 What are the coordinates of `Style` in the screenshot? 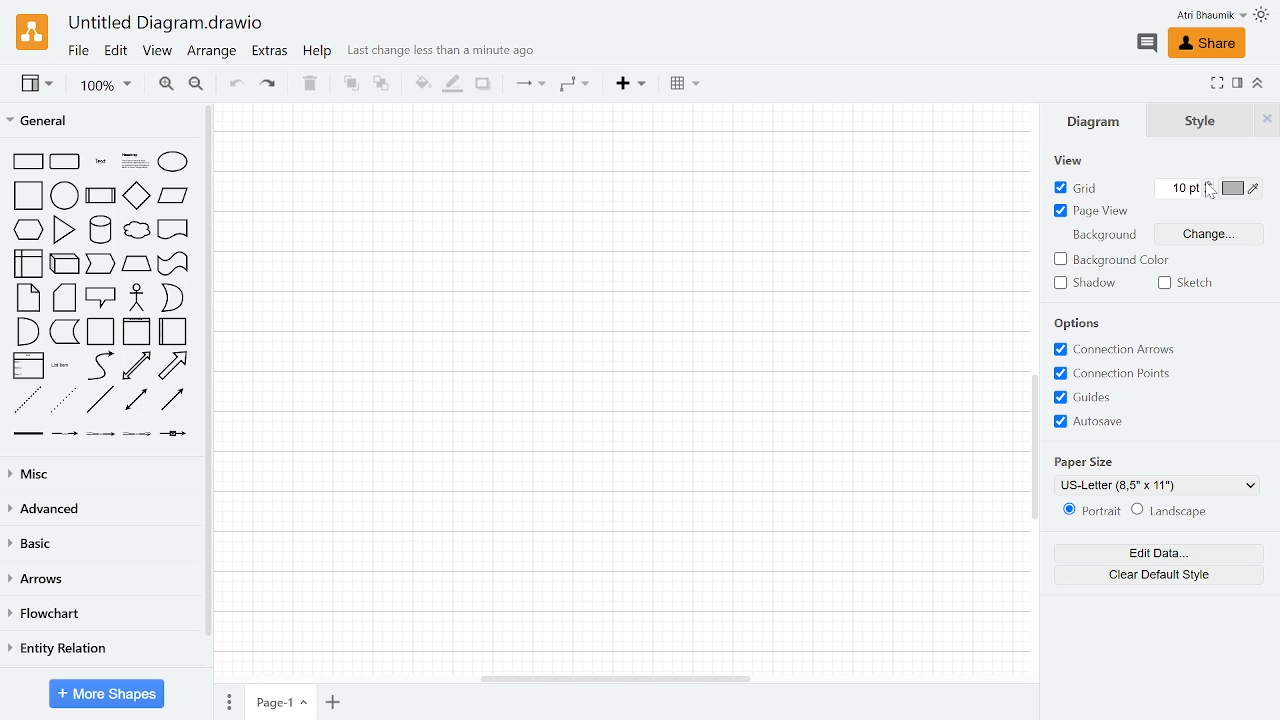 It's located at (1198, 123).